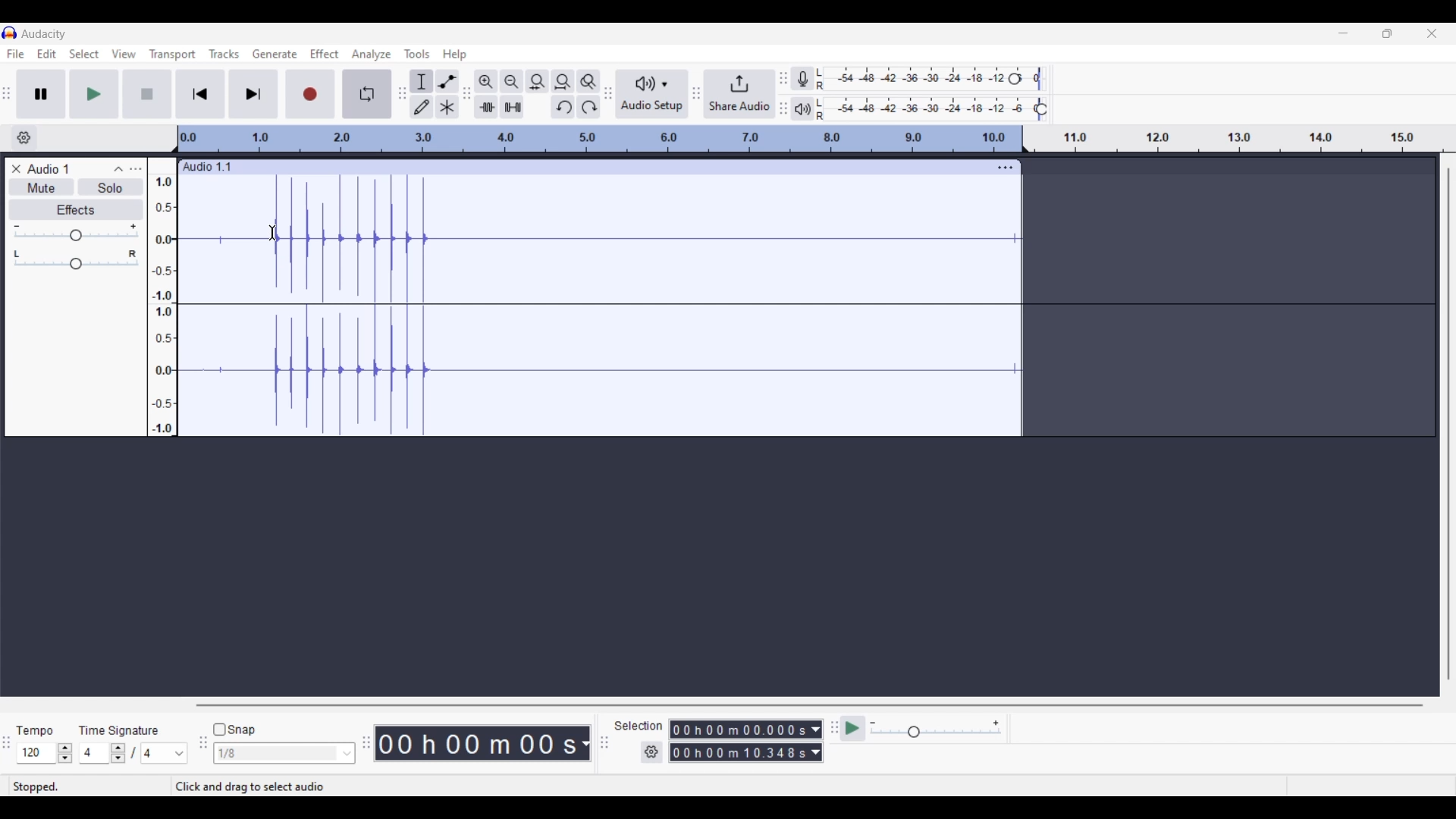 The width and height of the screenshot is (1456, 819). I want to click on Playback level header, so click(1041, 109).